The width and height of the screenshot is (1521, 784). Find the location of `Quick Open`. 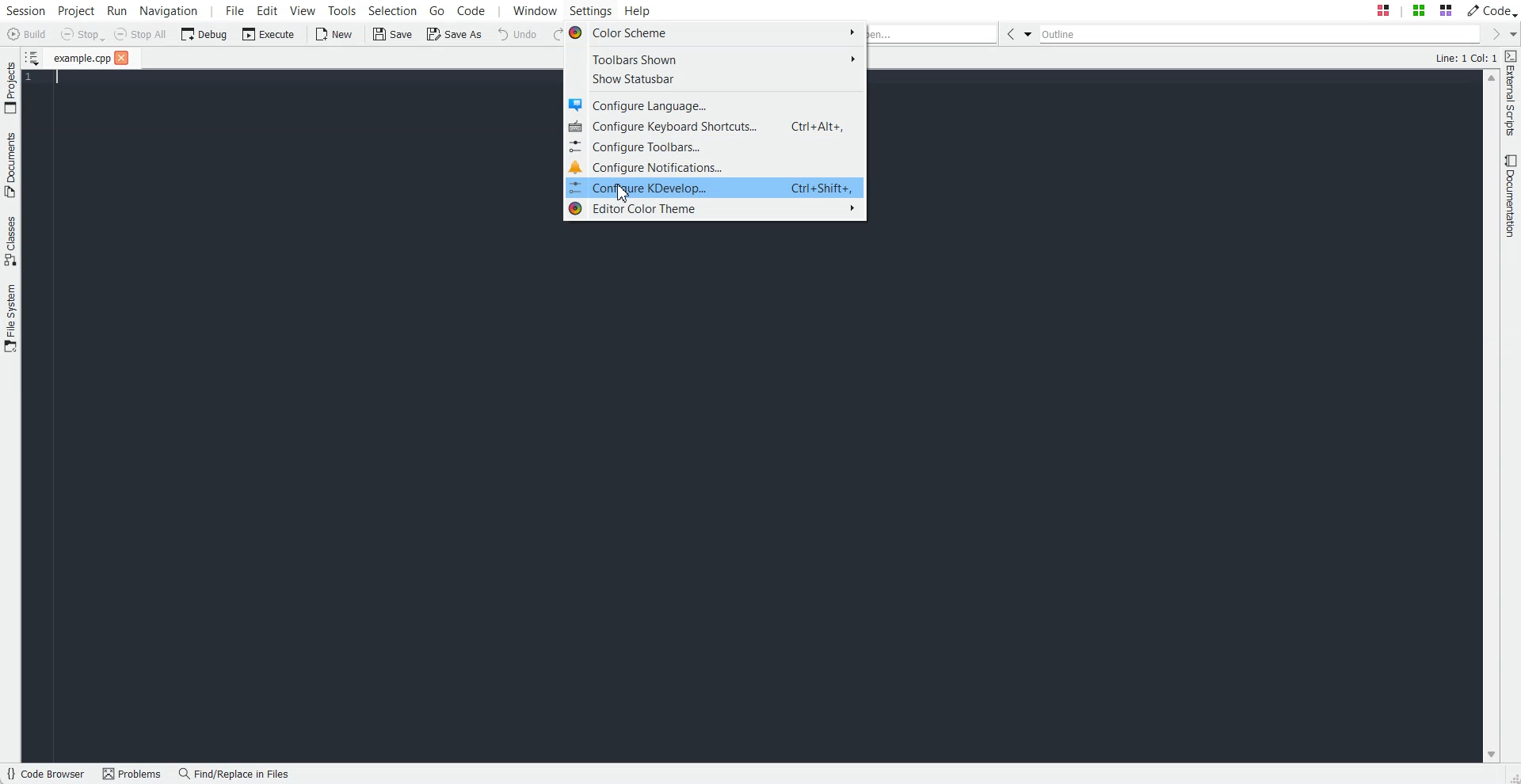

Quick Open is located at coordinates (933, 34).